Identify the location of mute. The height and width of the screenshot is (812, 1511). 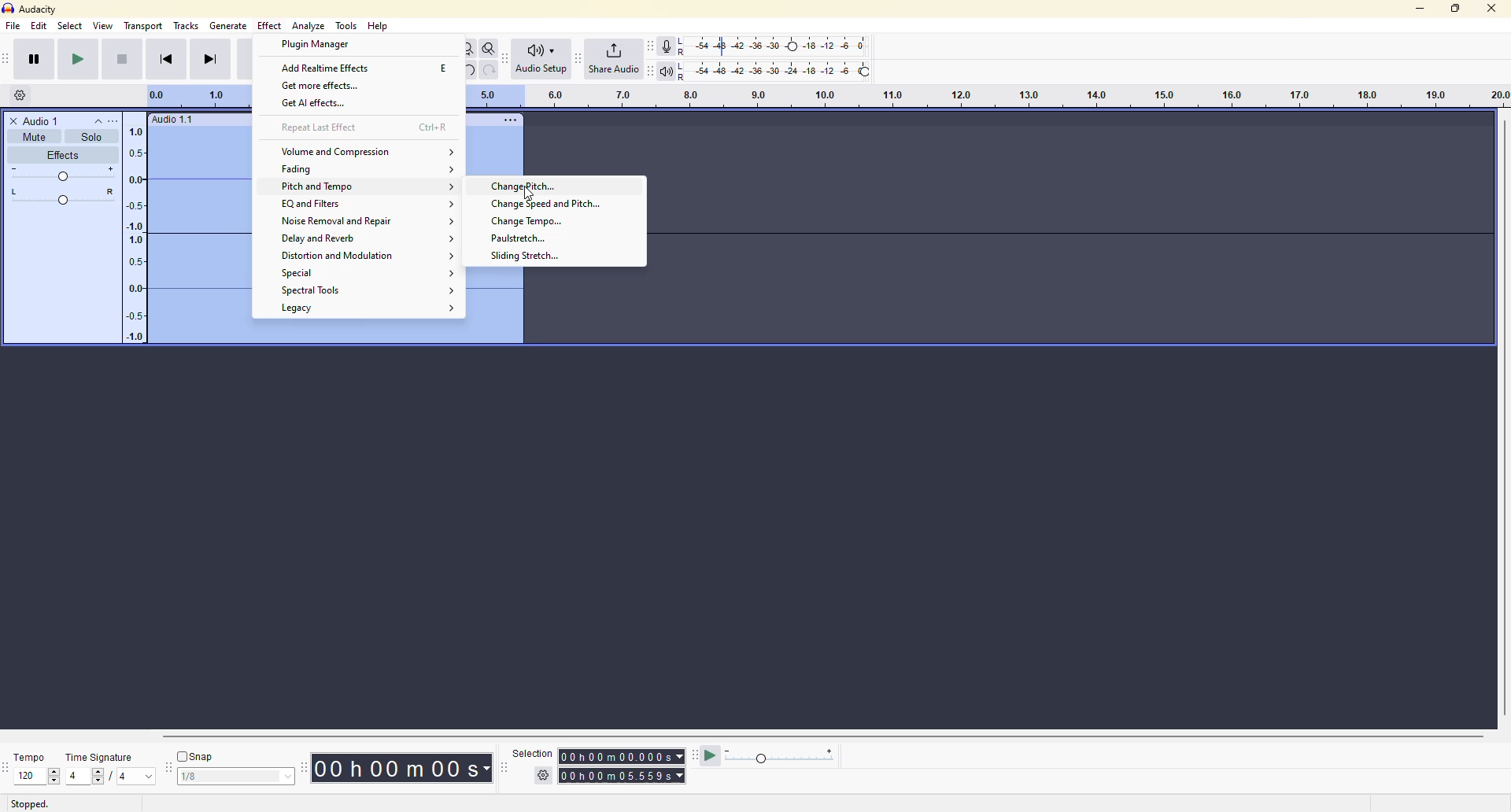
(33, 137).